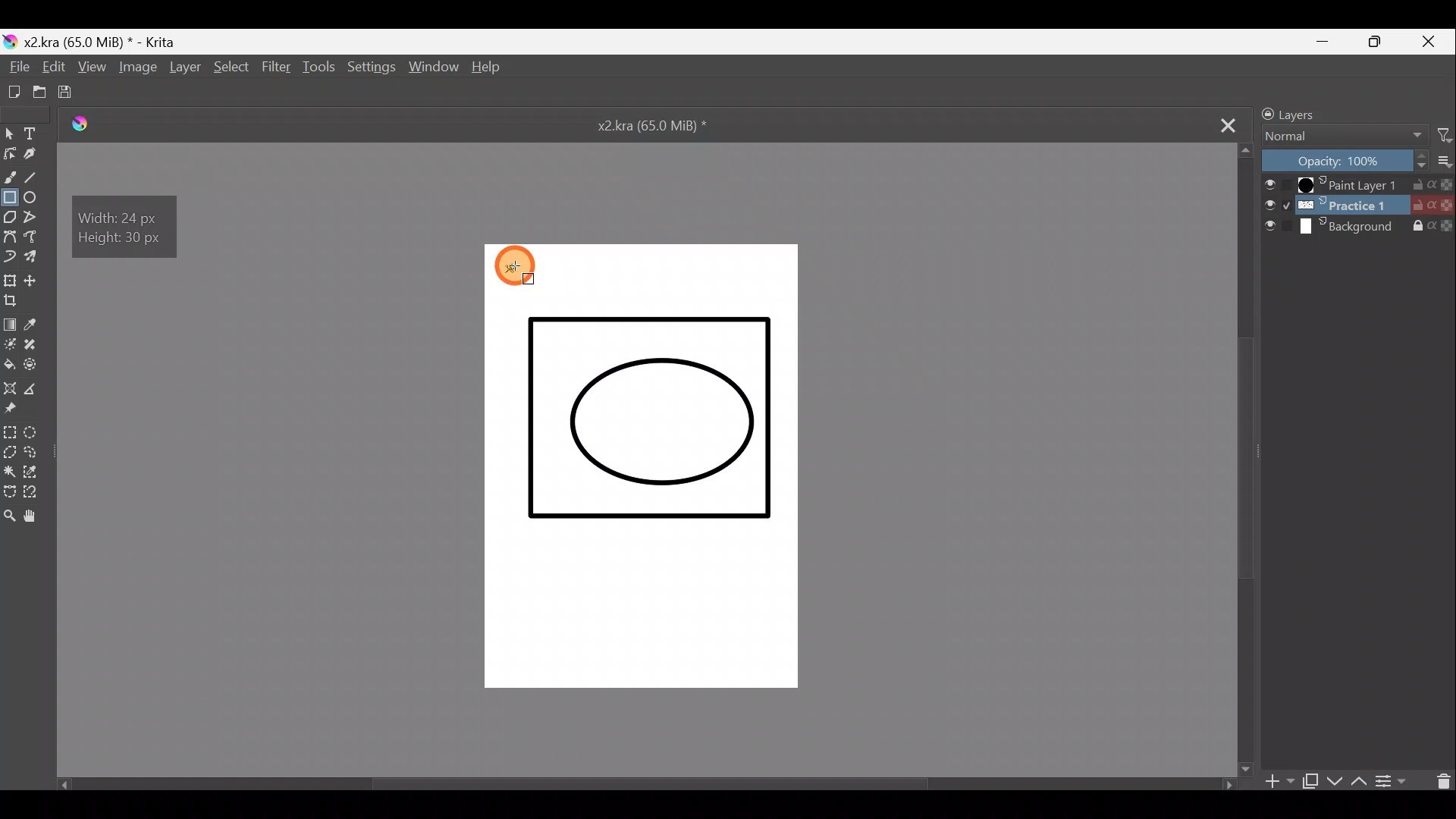 The height and width of the screenshot is (819, 1456). Describe the element at coordinates (92, 67) in the screenshot. I see `View` at that location.